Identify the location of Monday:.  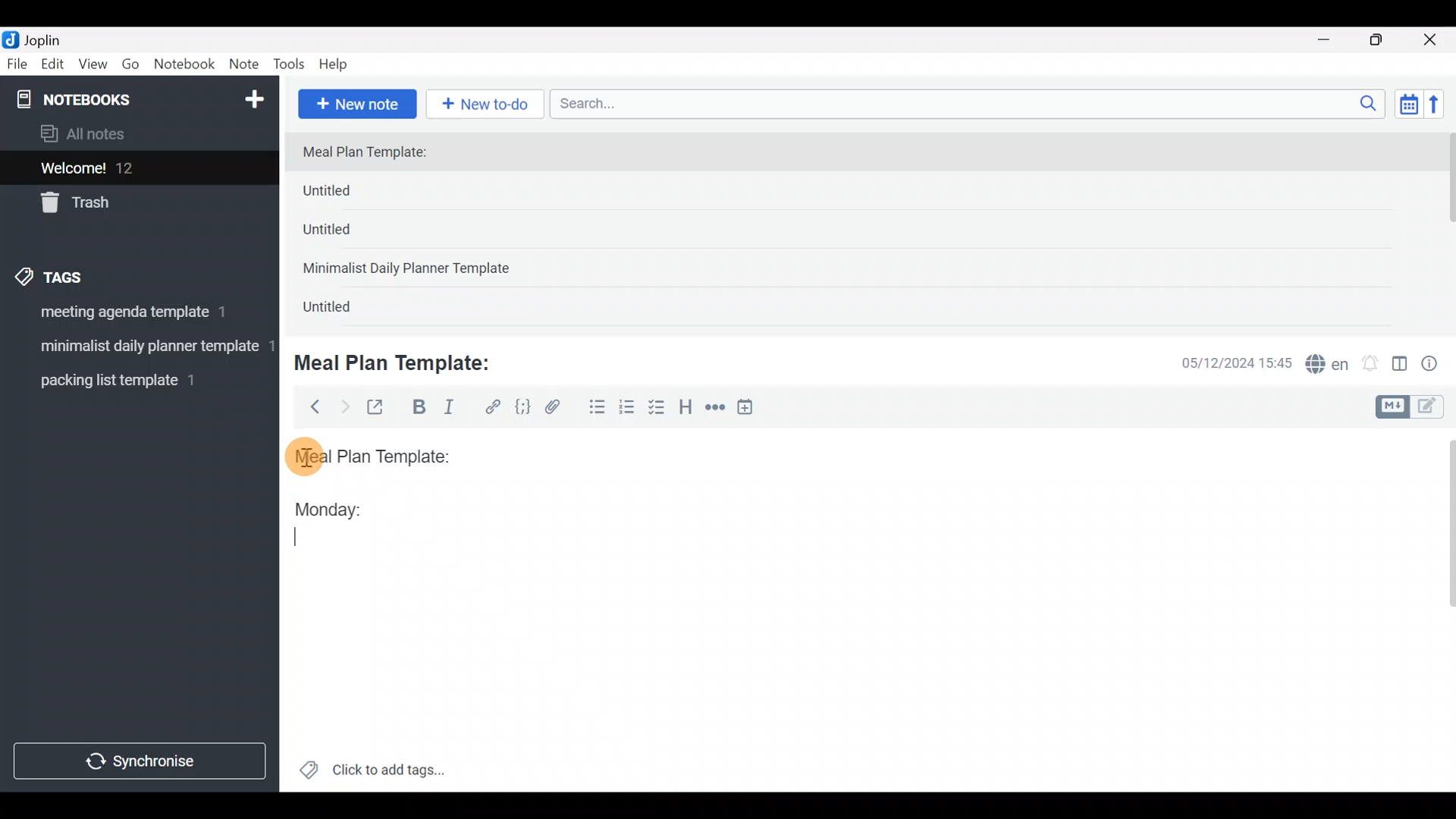
(318, 507).